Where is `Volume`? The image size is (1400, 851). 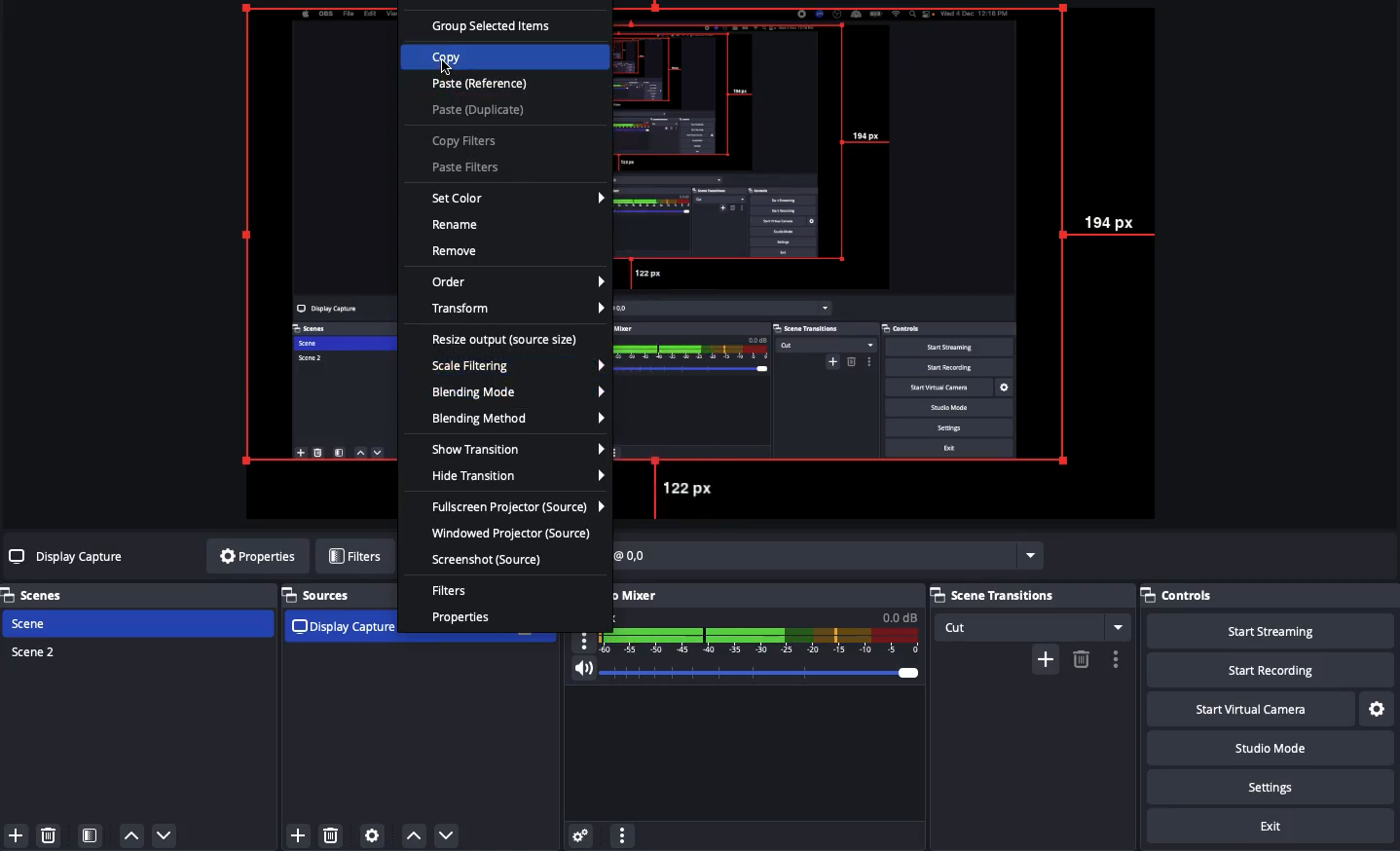 Volume is located at coordinates (747, 669).